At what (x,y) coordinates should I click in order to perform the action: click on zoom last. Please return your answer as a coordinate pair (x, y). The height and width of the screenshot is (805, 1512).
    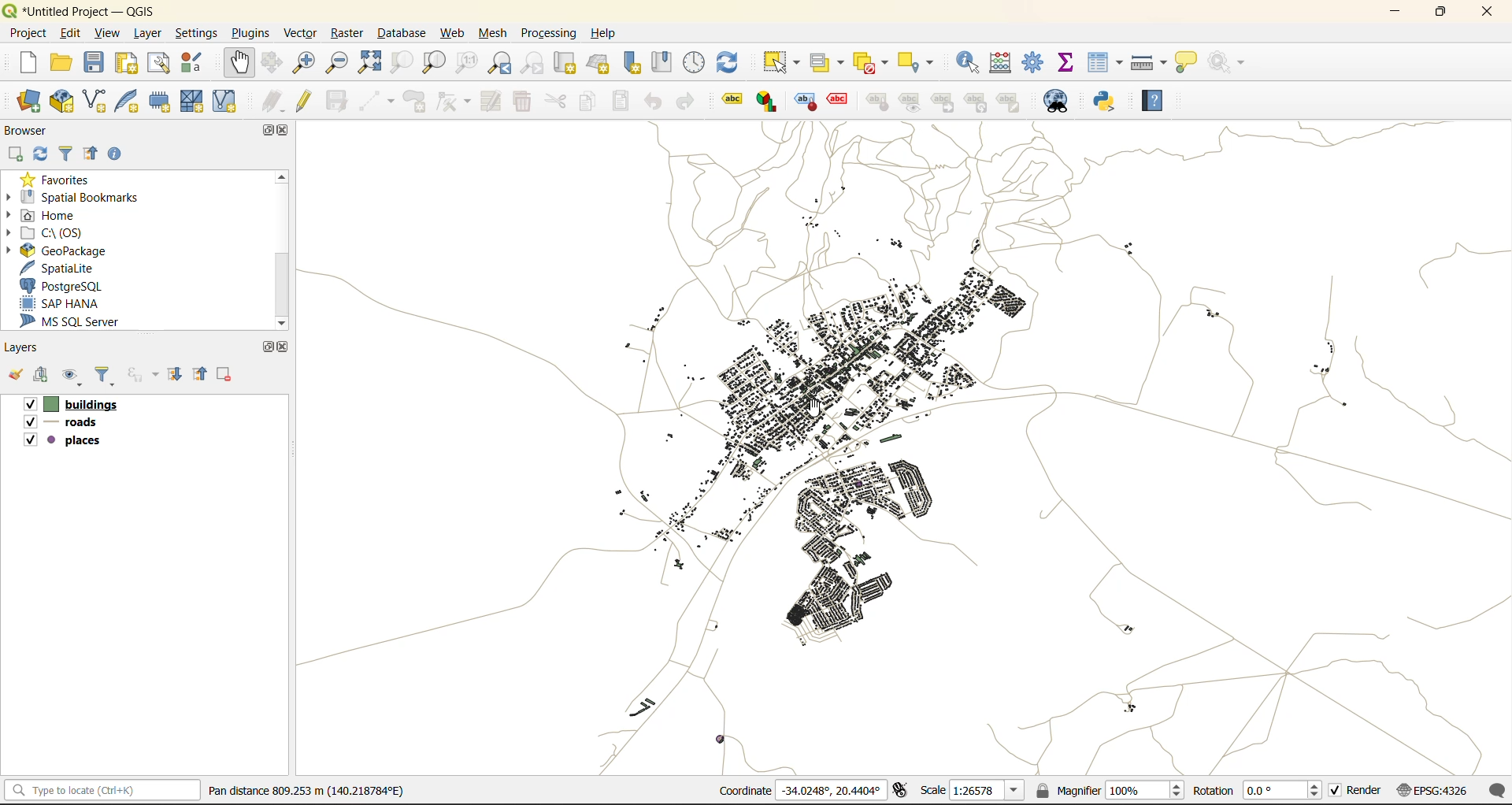
    Looking at the image, I should click on (499, 65).